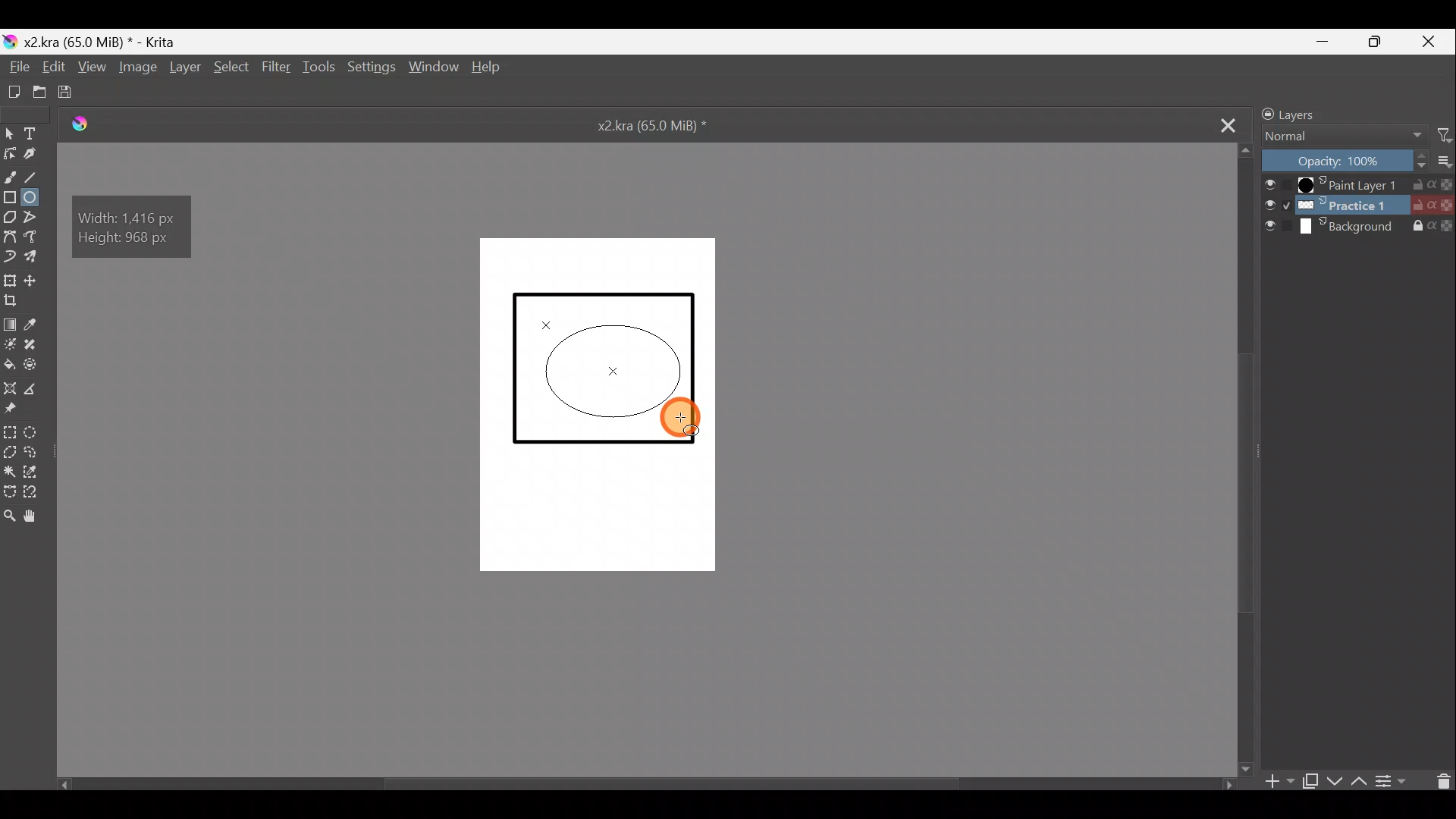 This screenshot has width=1456, height=819. What do you see at coordinates (10, 344) in the screenshot?
I see `Colourise mask tool` at bounding box center [10, 344].